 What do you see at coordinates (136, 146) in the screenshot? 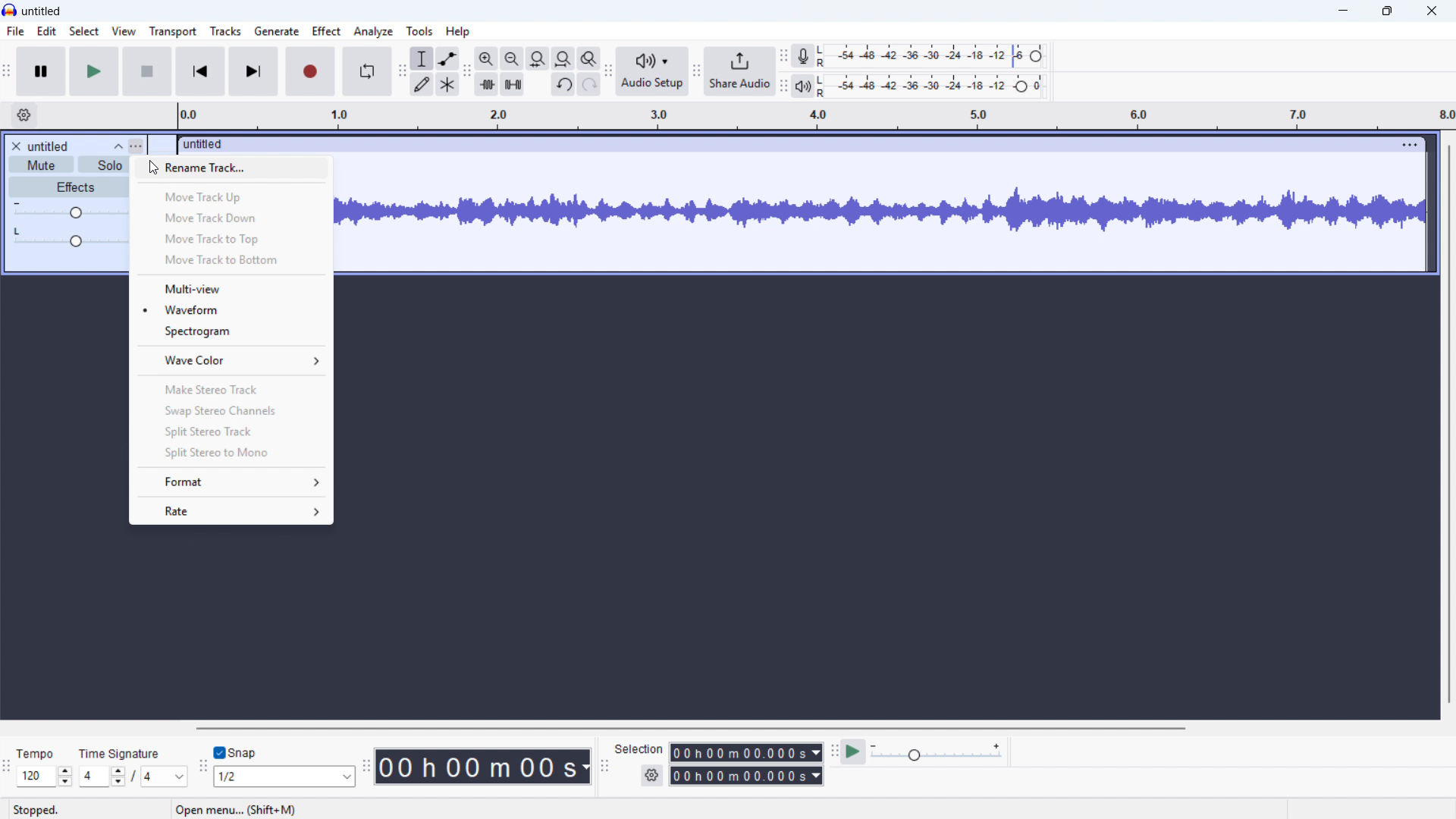
I see `Track control panel menu ` at bounding box center [136, 146].